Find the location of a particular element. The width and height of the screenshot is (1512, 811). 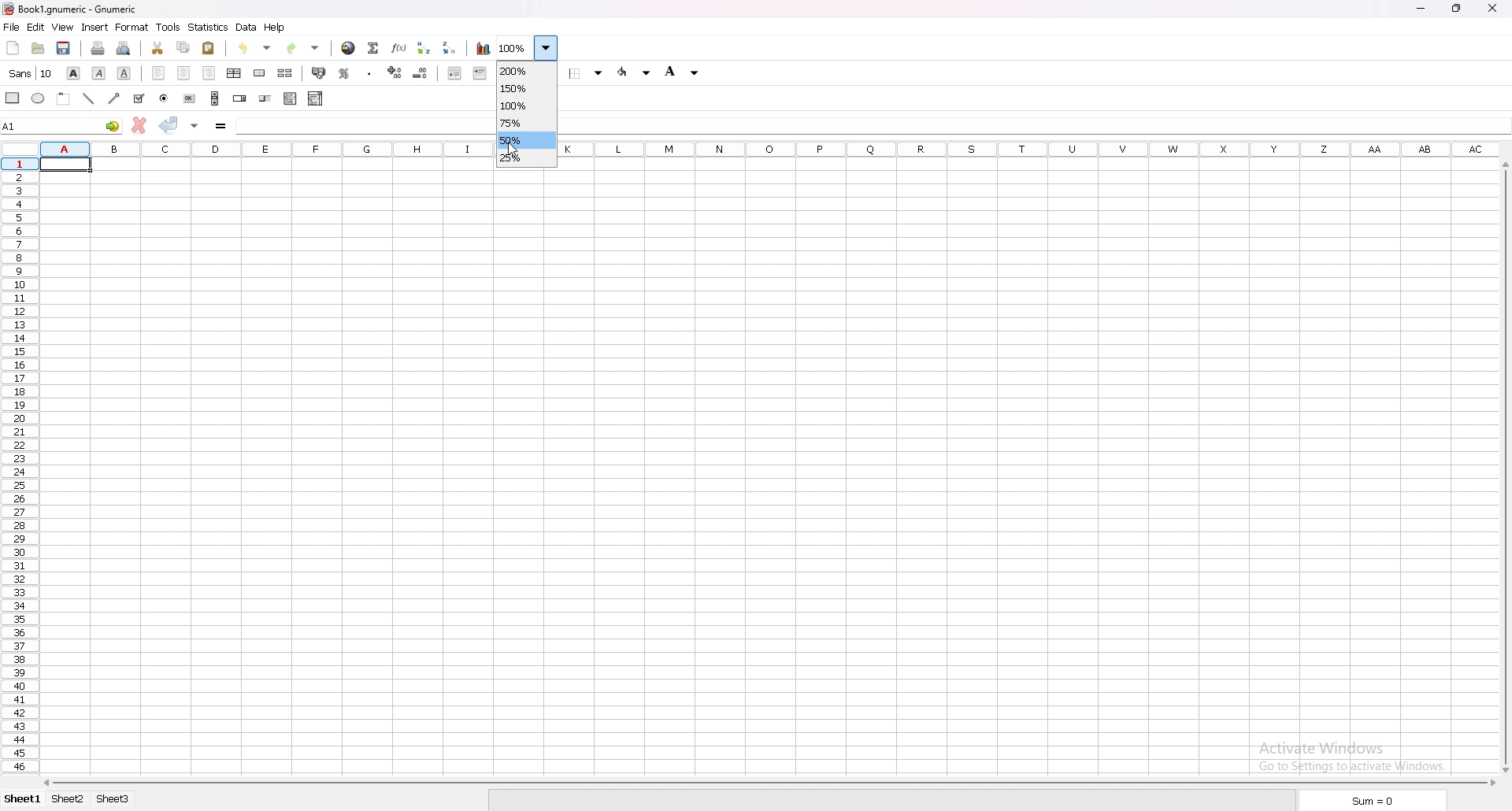

data is located at coordinates (246, 28).